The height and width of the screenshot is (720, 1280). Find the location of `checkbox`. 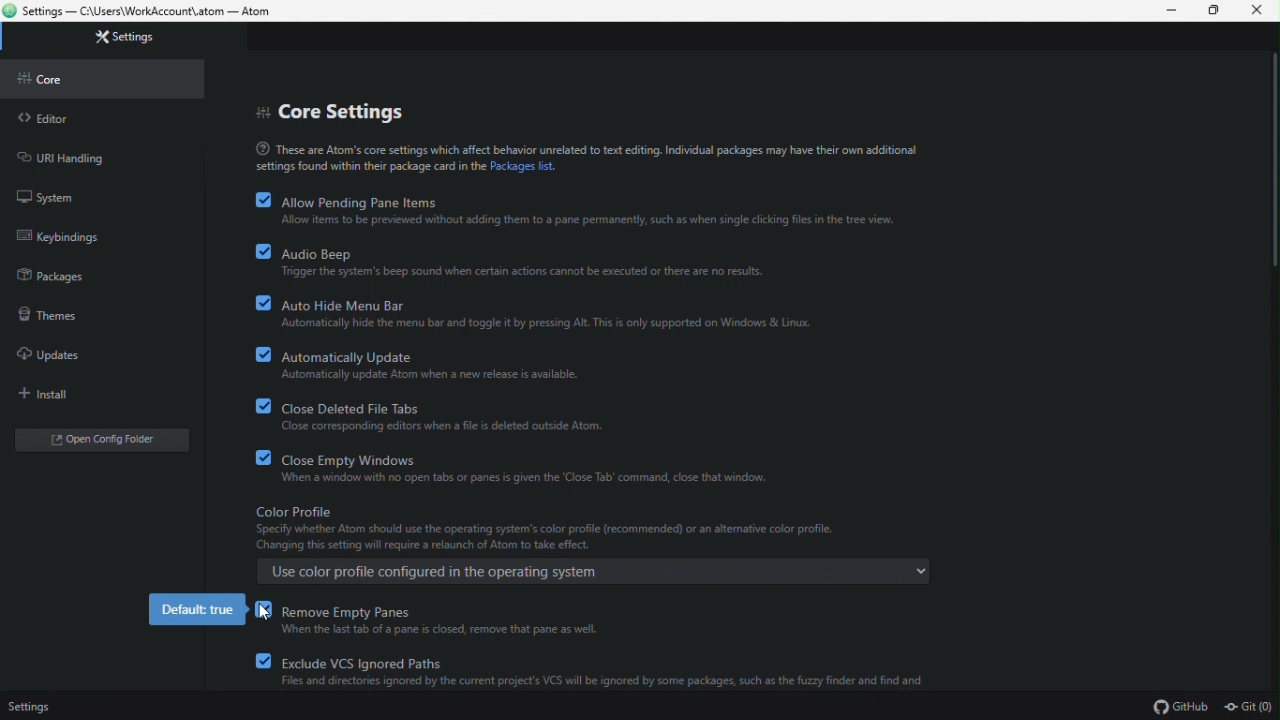

checkbox is located at coordinates (257, 405).